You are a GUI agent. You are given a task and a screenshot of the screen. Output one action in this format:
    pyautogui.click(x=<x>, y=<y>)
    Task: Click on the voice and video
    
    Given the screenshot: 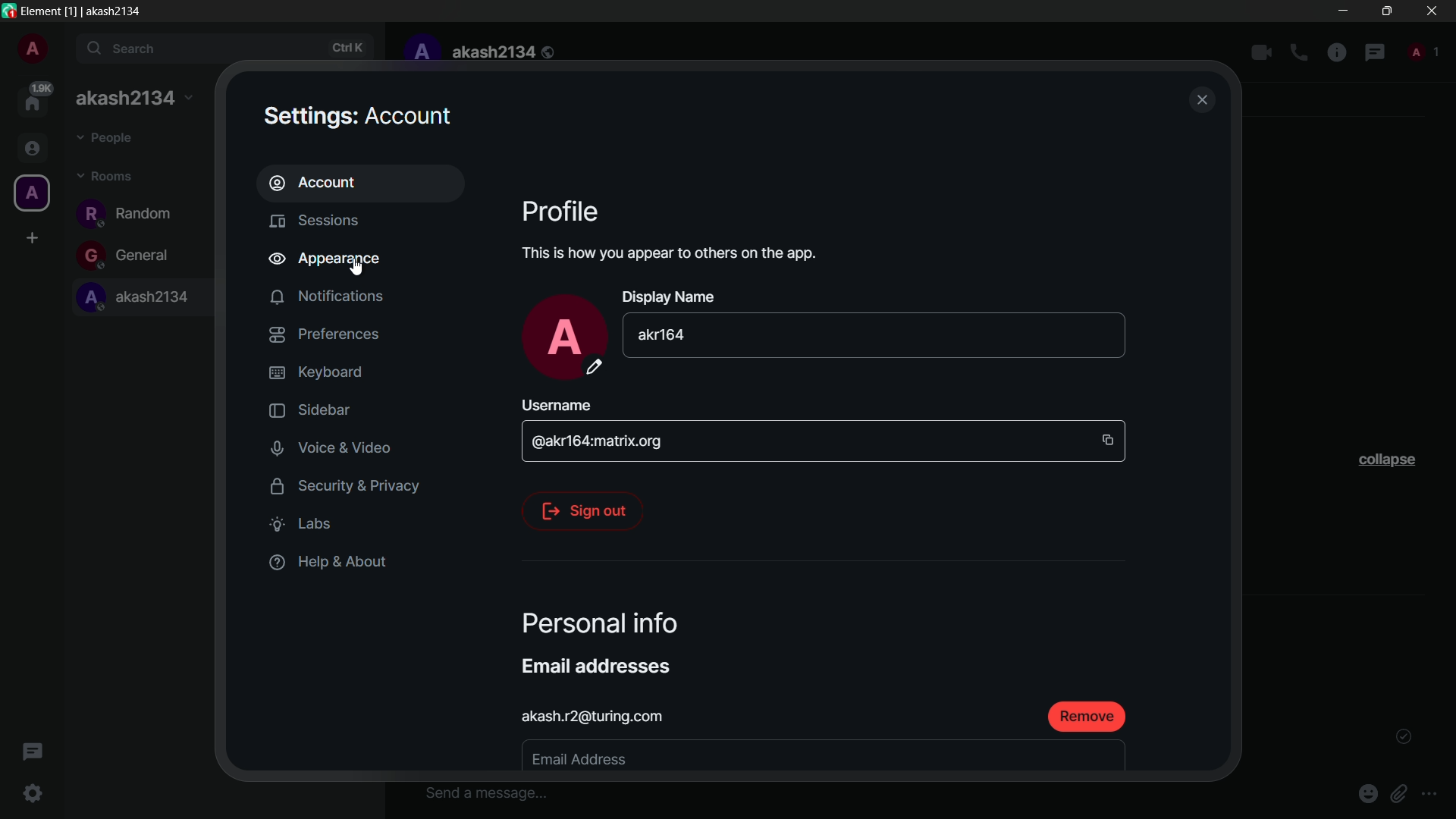 What is the action you would take?
    pyautogui.click(x=334, y=448)
    